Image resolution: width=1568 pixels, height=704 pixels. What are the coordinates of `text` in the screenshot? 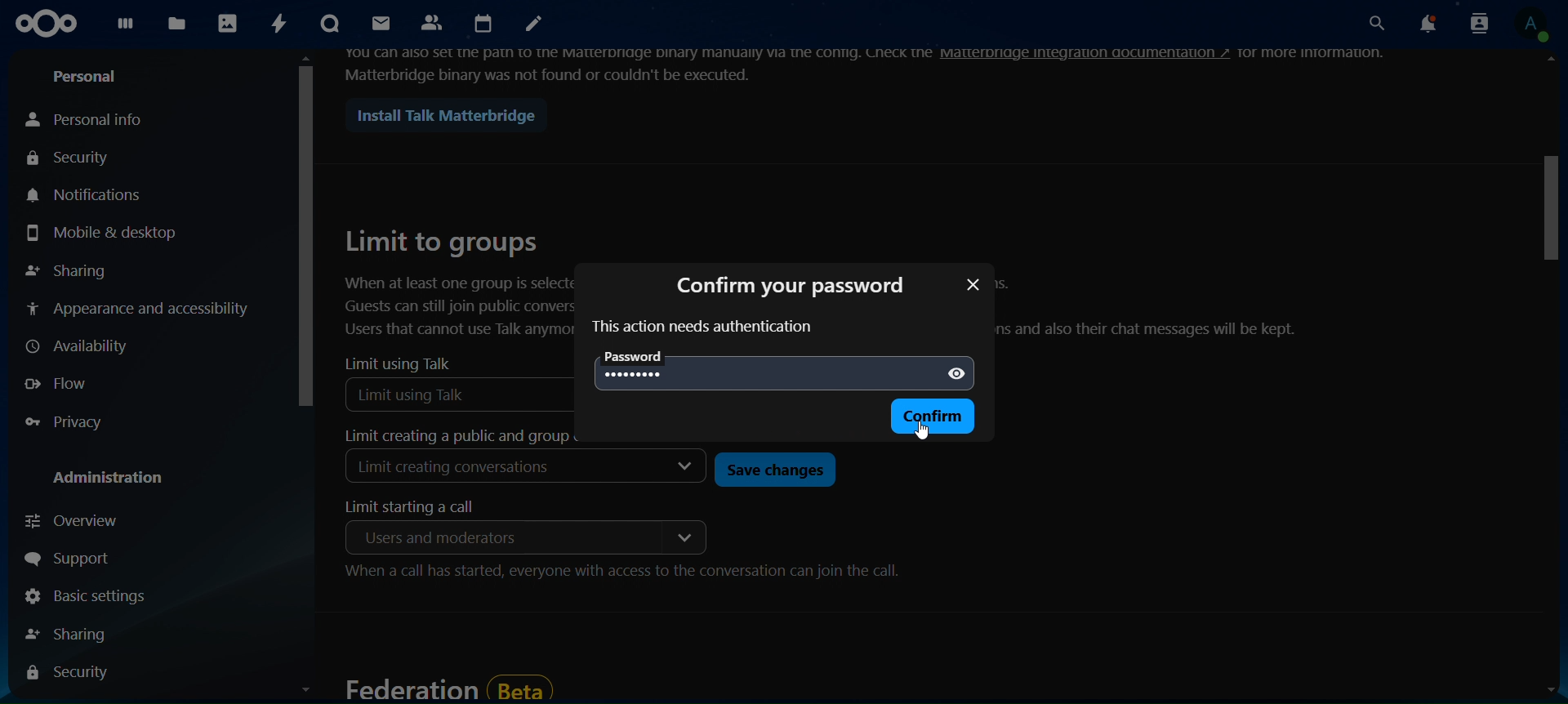 It's located at (1172, 308).